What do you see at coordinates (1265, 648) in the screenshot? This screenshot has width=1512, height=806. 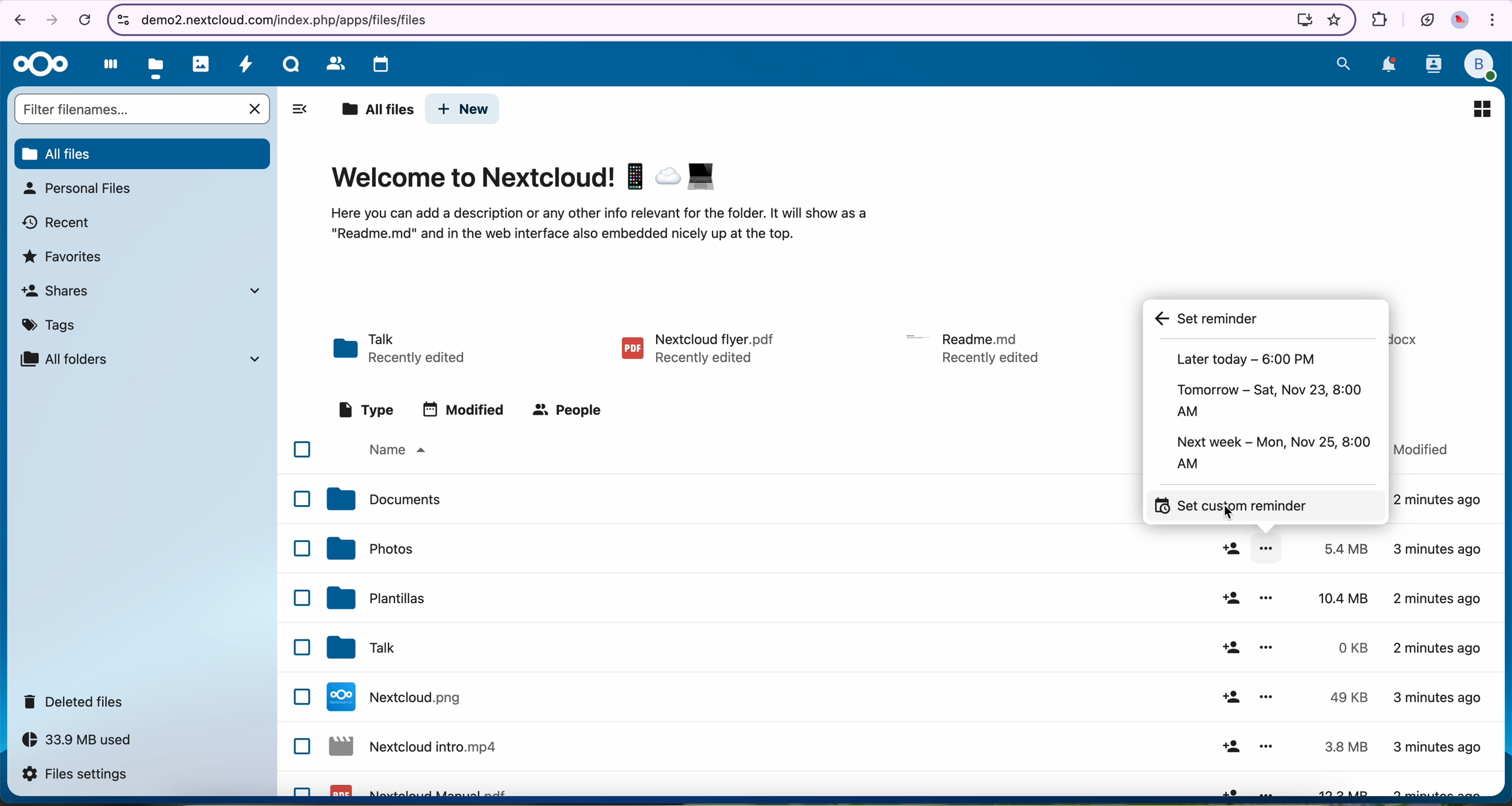 I see `more options` at bounding box center [1265, 648].